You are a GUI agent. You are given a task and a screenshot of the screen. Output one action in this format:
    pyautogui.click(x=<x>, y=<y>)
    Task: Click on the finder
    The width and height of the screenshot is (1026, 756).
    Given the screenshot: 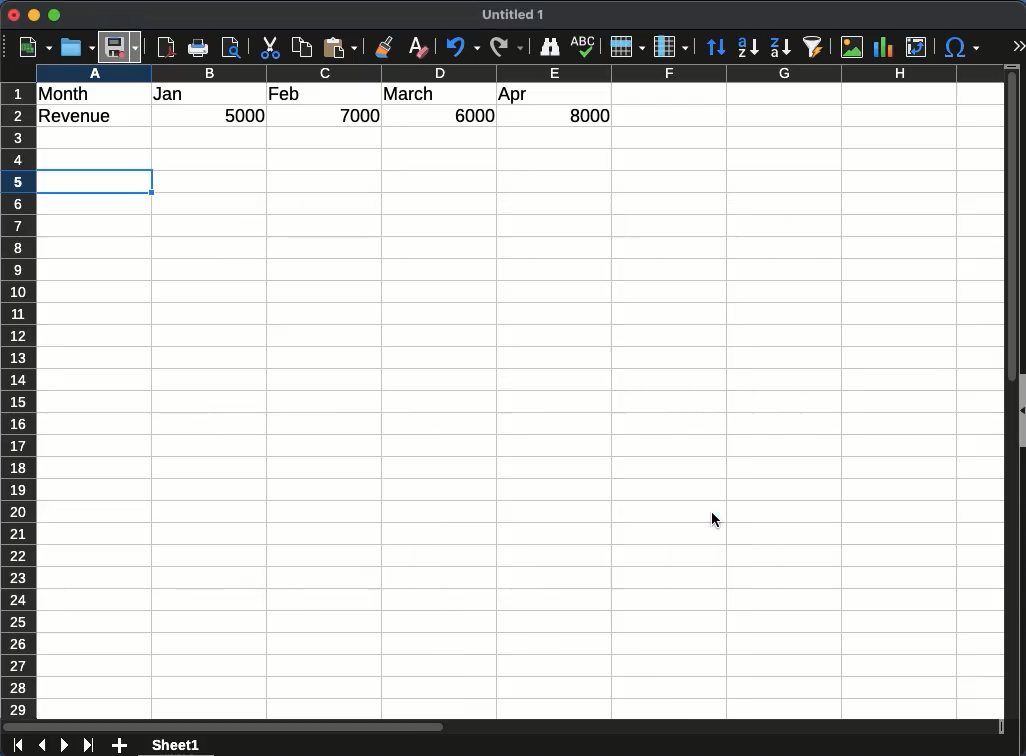 What is the action you would take?
    pyautogui.click(x=550, y=47)
    